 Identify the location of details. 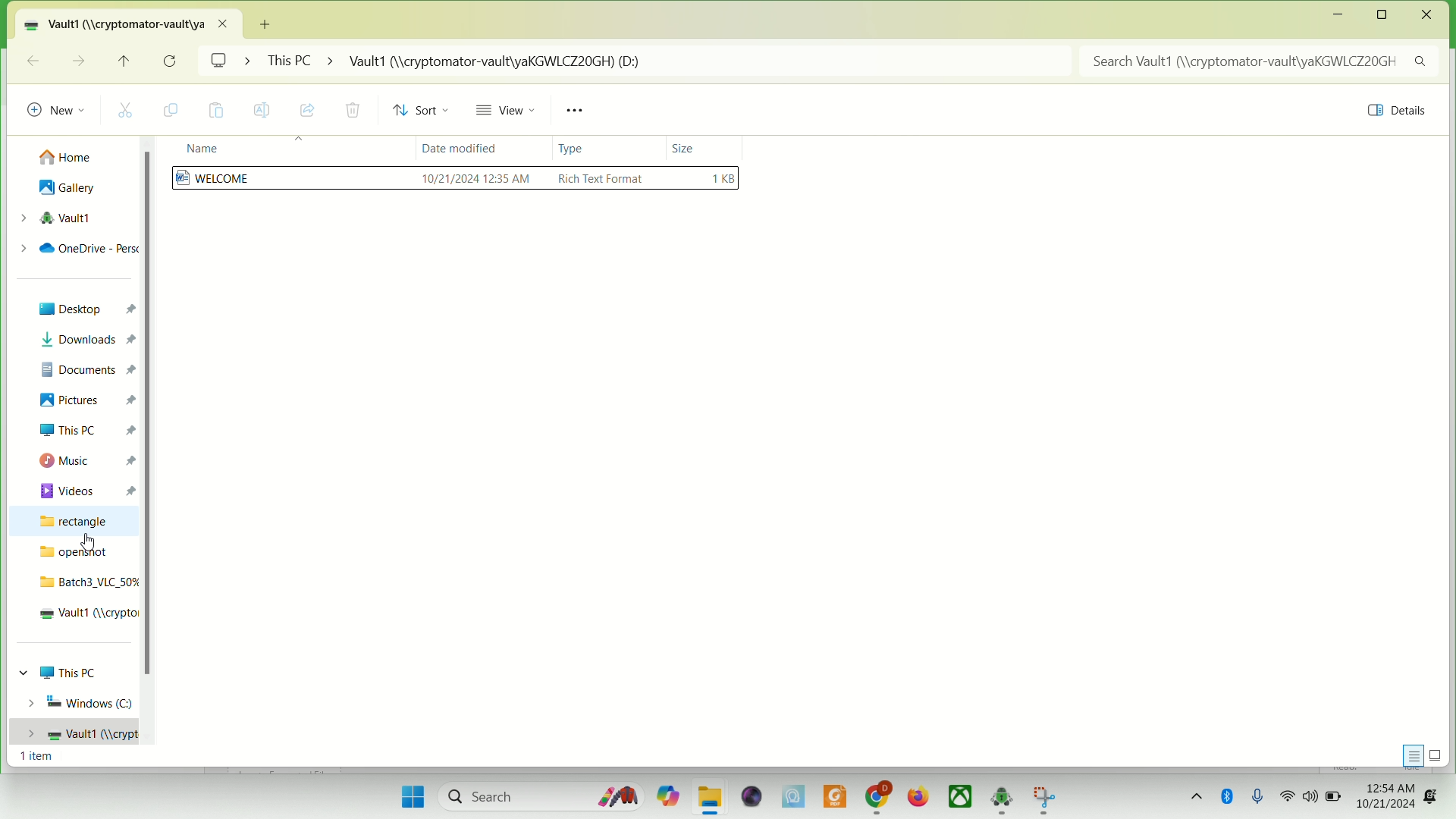
(1392, 113).